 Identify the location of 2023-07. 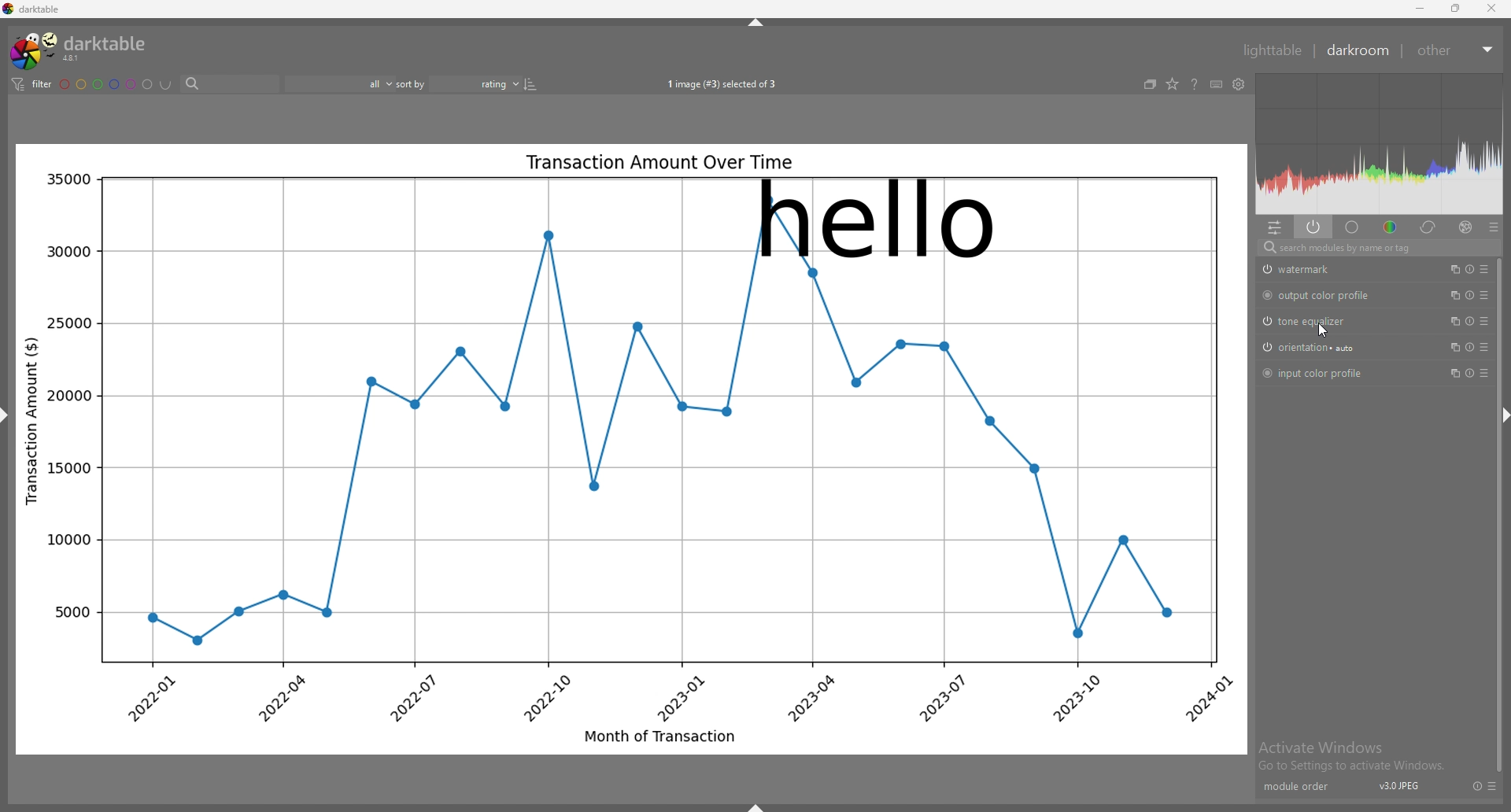
(940, 697).